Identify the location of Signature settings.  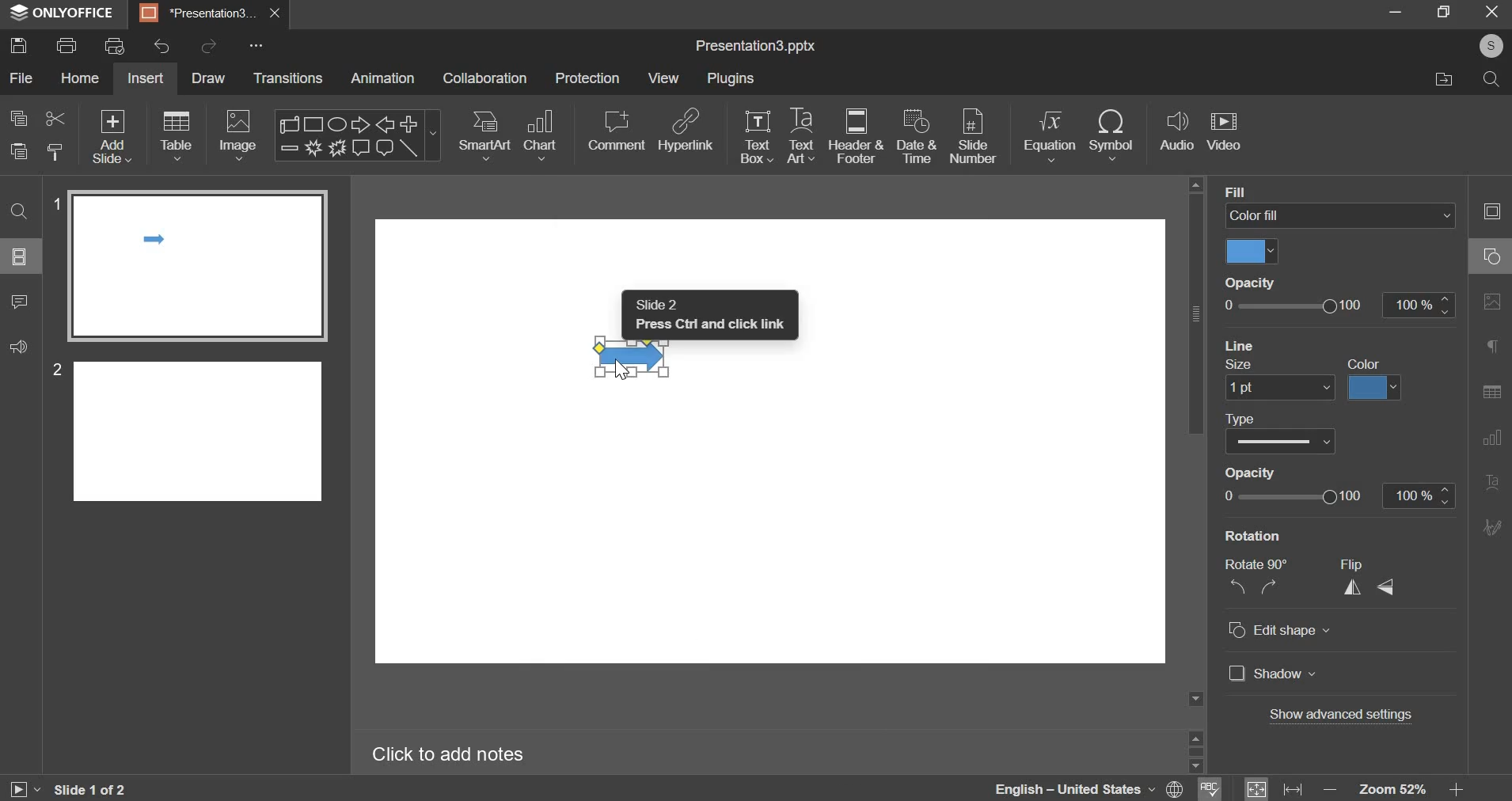
(1492, 526).